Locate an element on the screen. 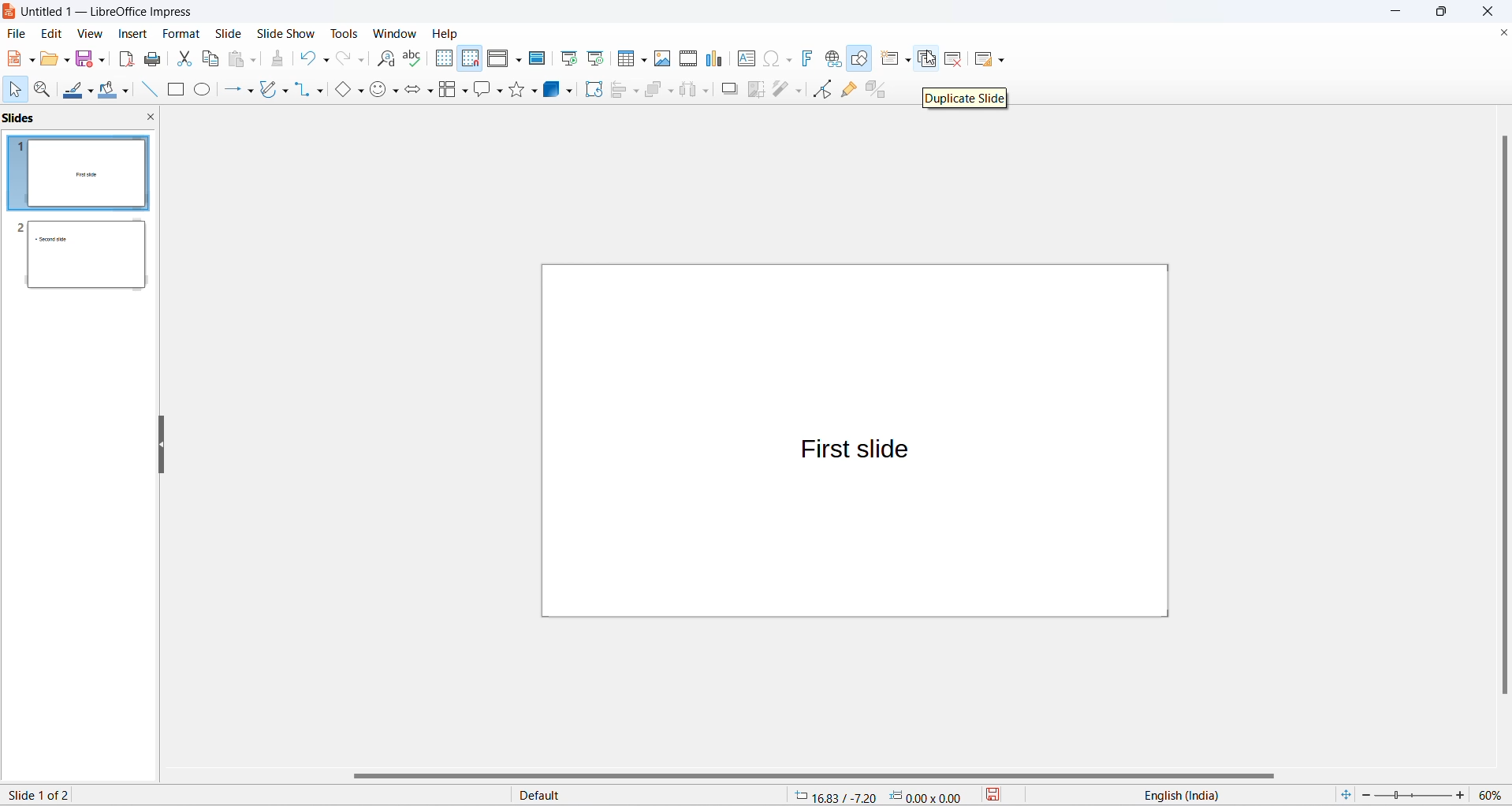  close is located at coordinates (1489, 12).